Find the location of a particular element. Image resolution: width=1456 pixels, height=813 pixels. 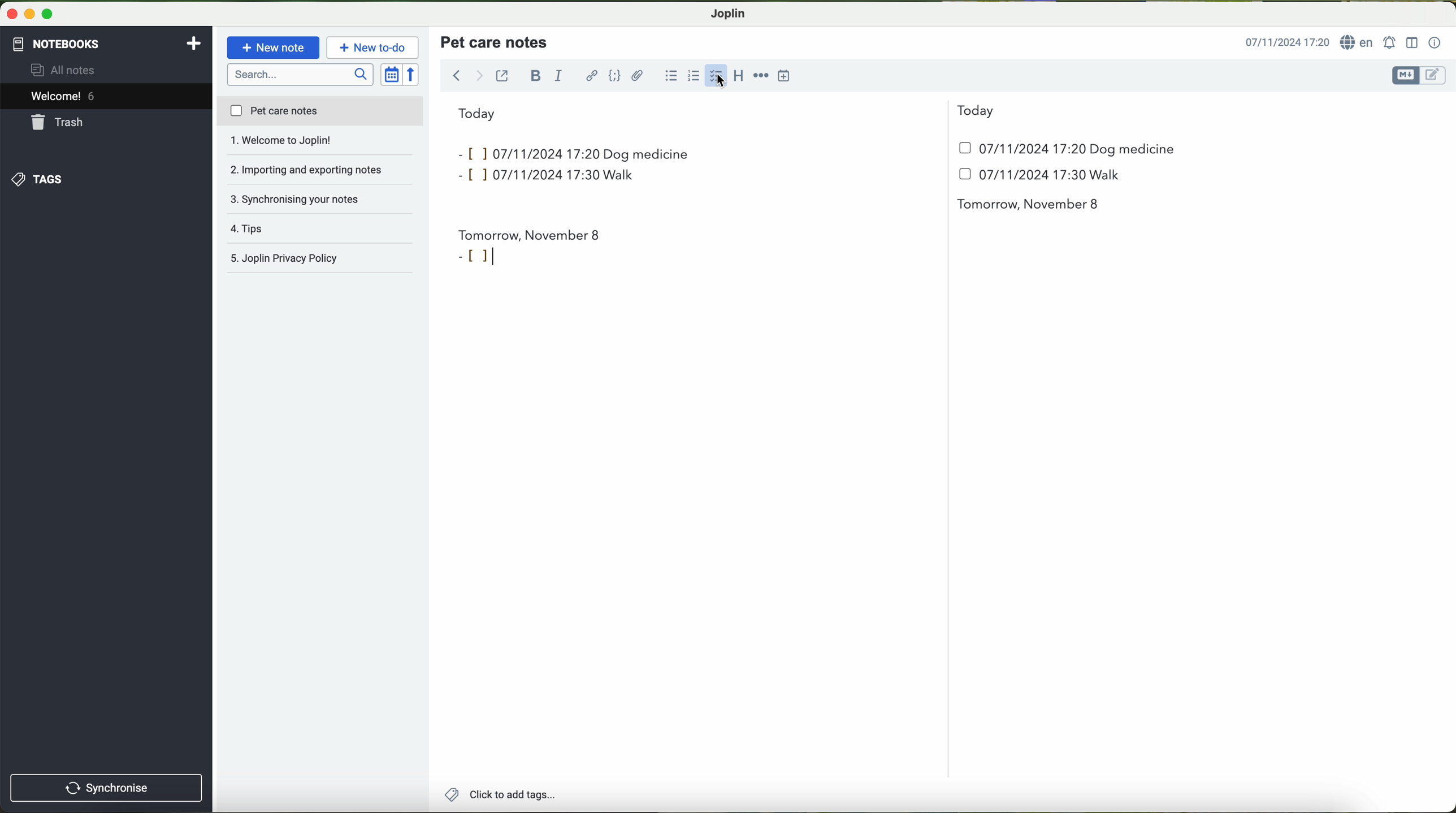

toggle editor layout is located at coordinates (1412, 42).